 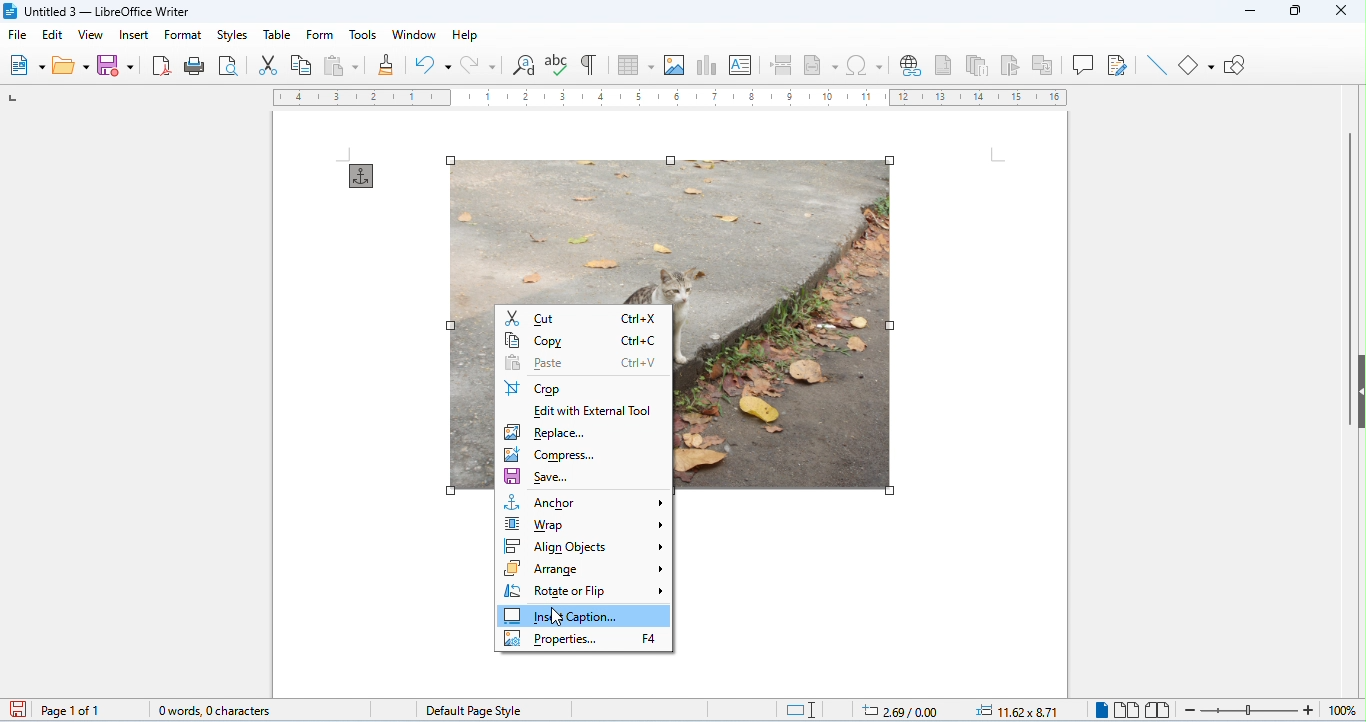 I want to click on tools, so click(x=364, y=33).